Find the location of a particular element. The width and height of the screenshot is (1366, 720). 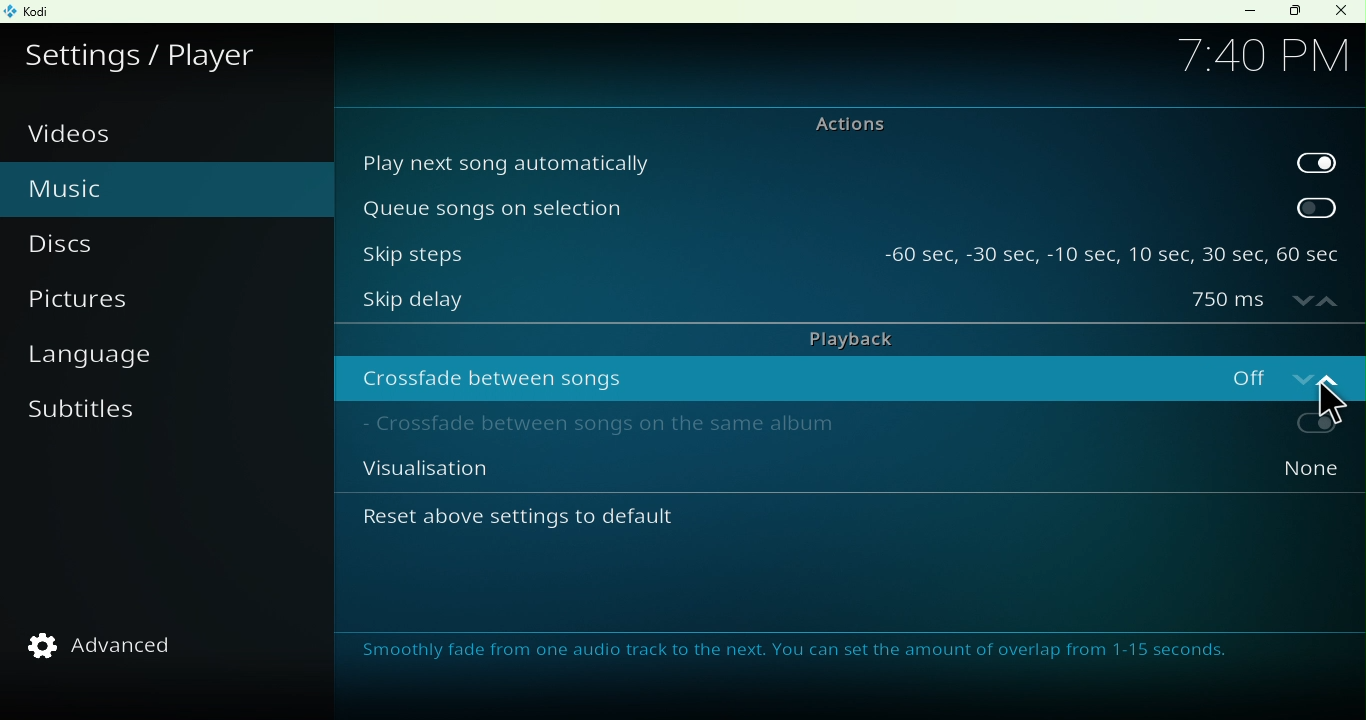

Pictures is located at coordinates (109, 305).